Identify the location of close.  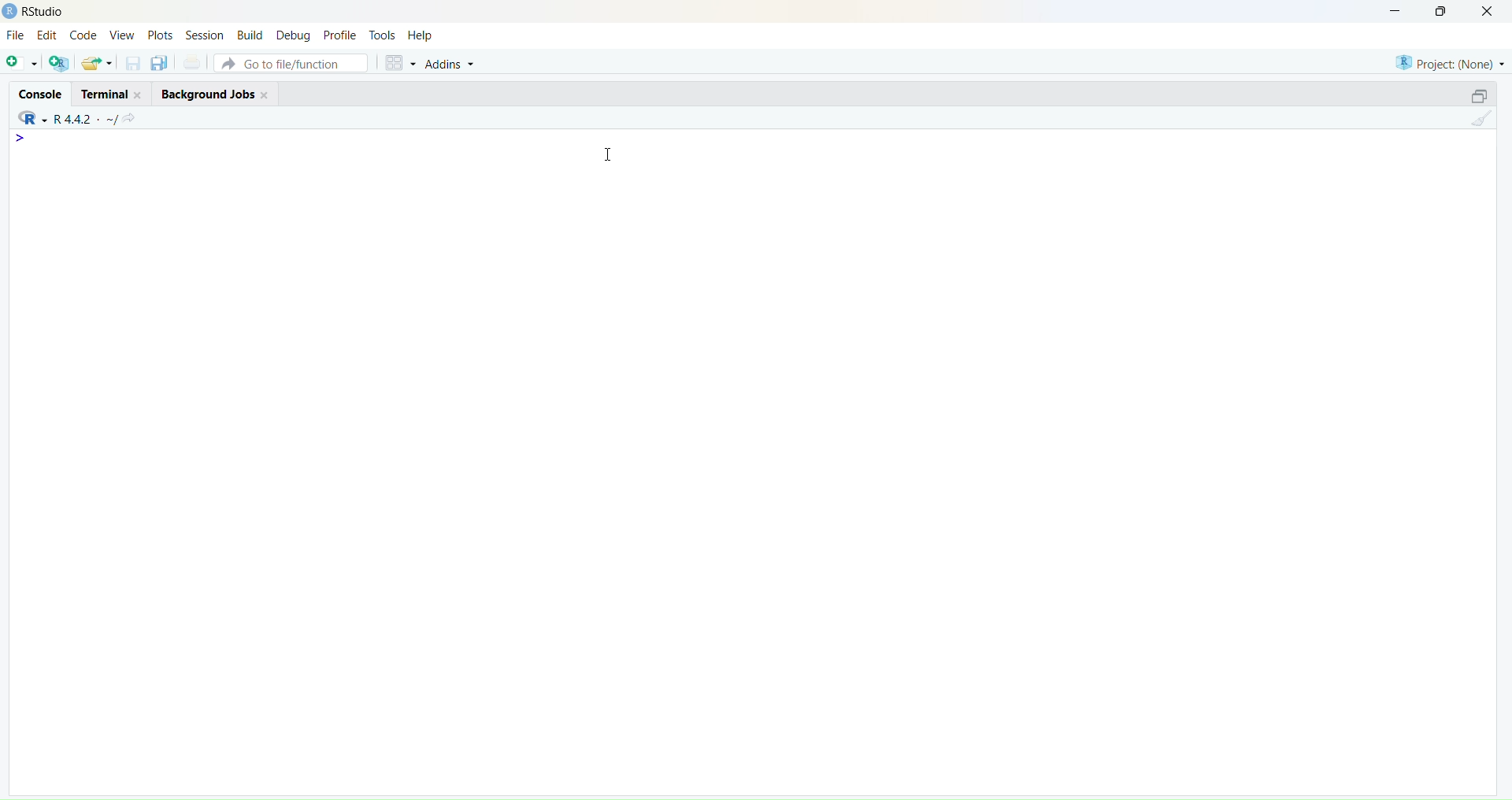
(1493, 12).